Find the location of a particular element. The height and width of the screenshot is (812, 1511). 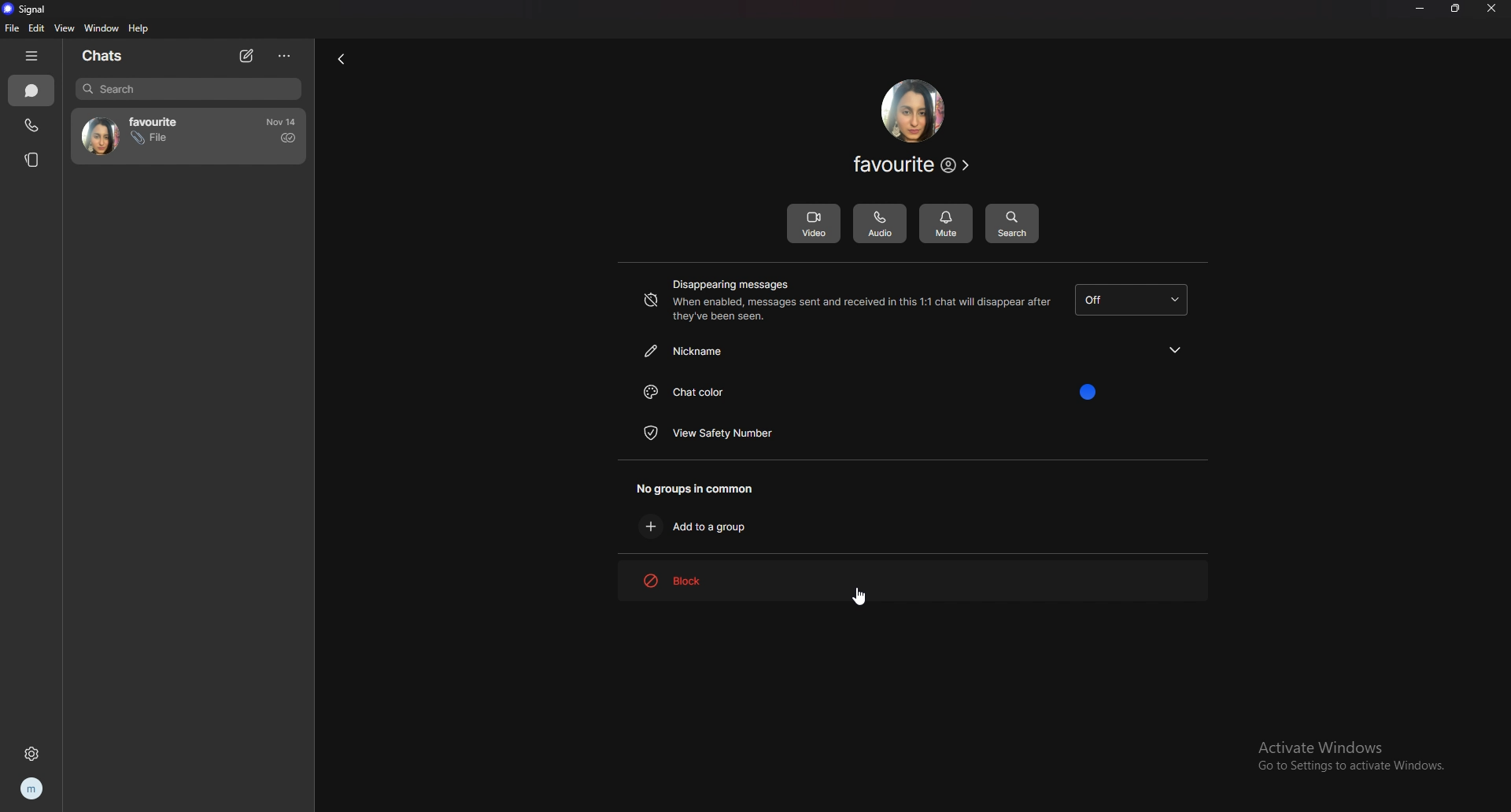

chats is located at coordinates (106, 57).